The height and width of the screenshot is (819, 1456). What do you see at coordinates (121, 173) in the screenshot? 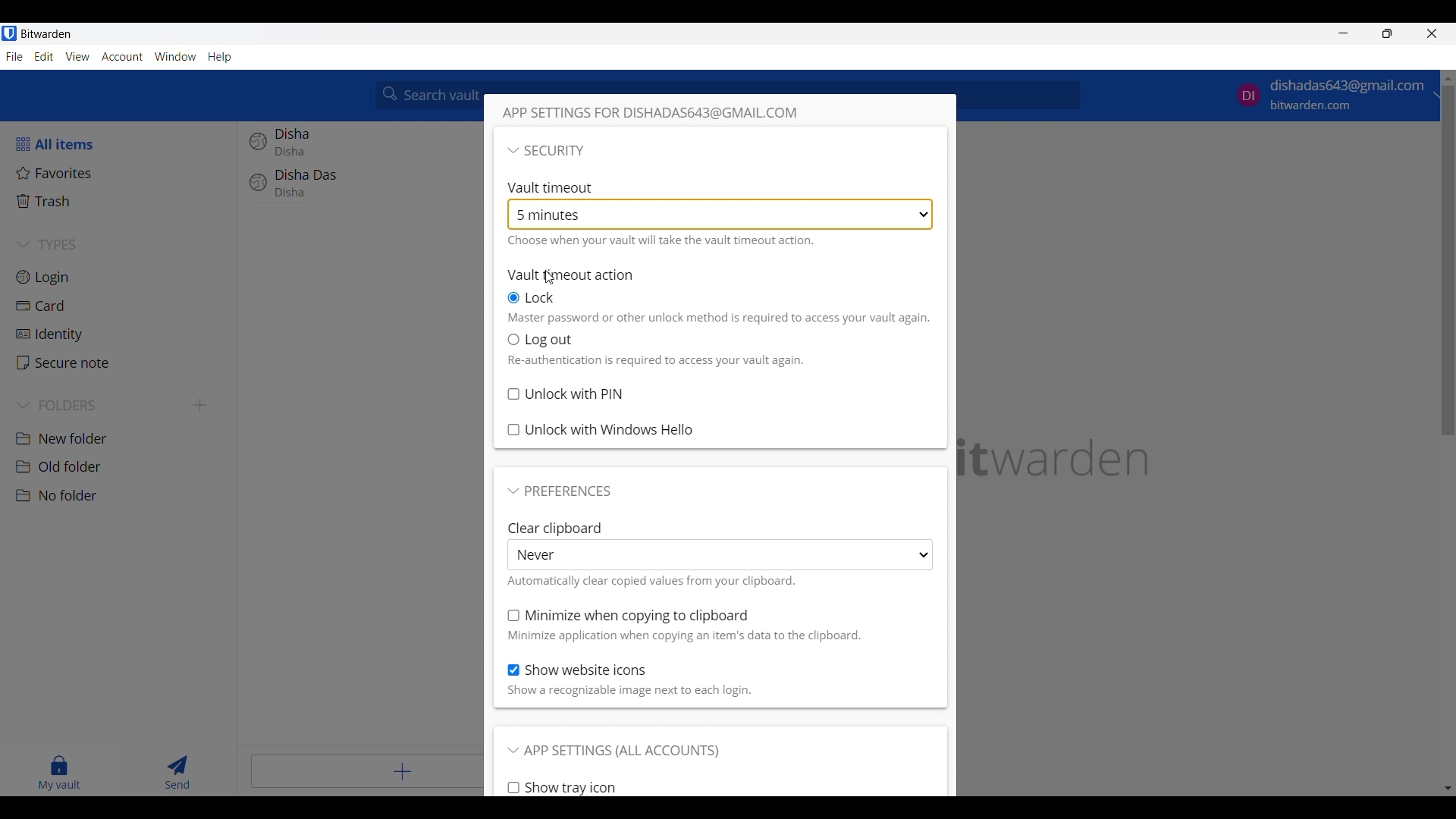
I see `Favorites` at bounding box center [121, 173].